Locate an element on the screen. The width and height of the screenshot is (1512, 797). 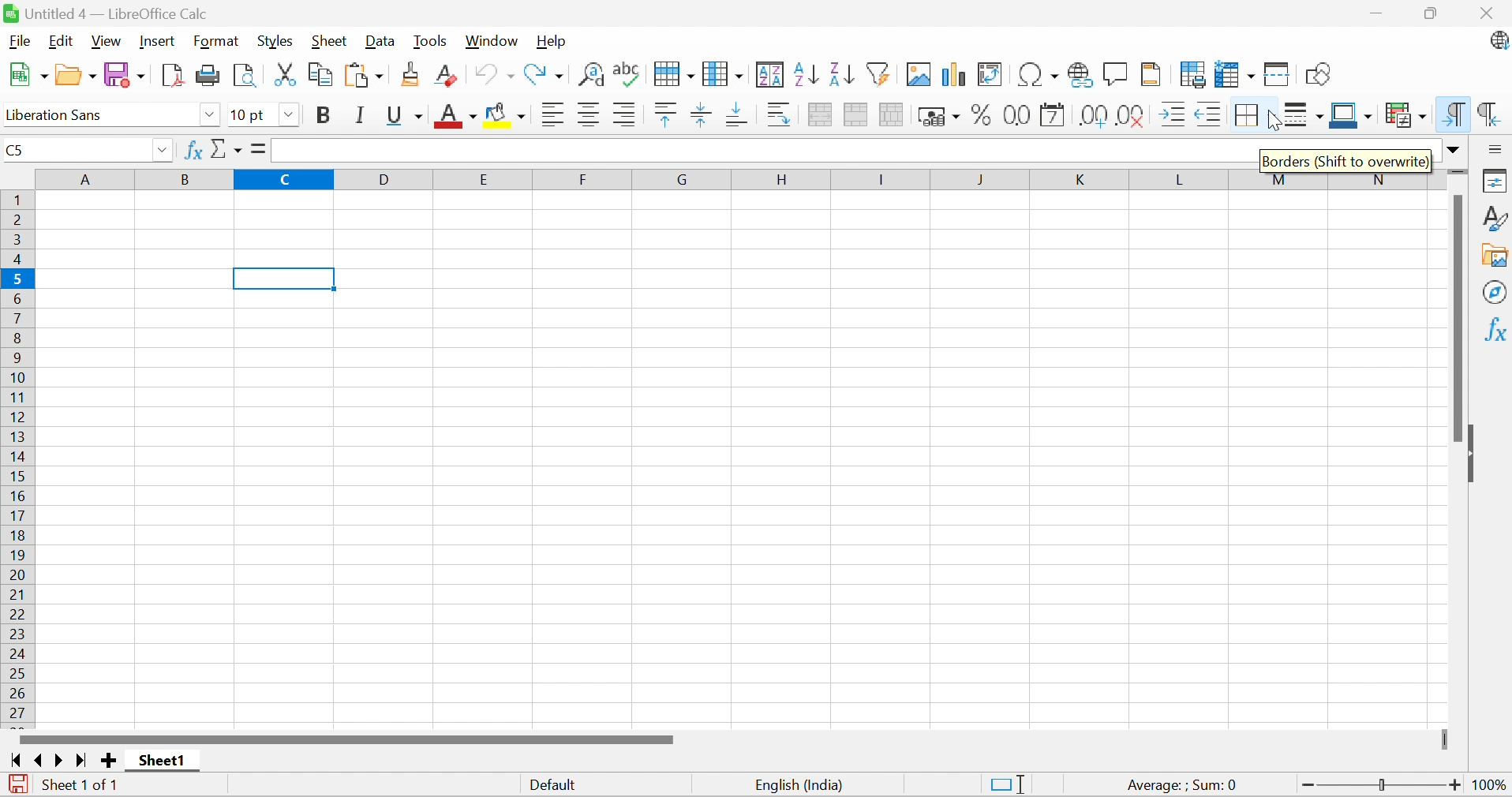
Column is located at coordinates (723, 73).